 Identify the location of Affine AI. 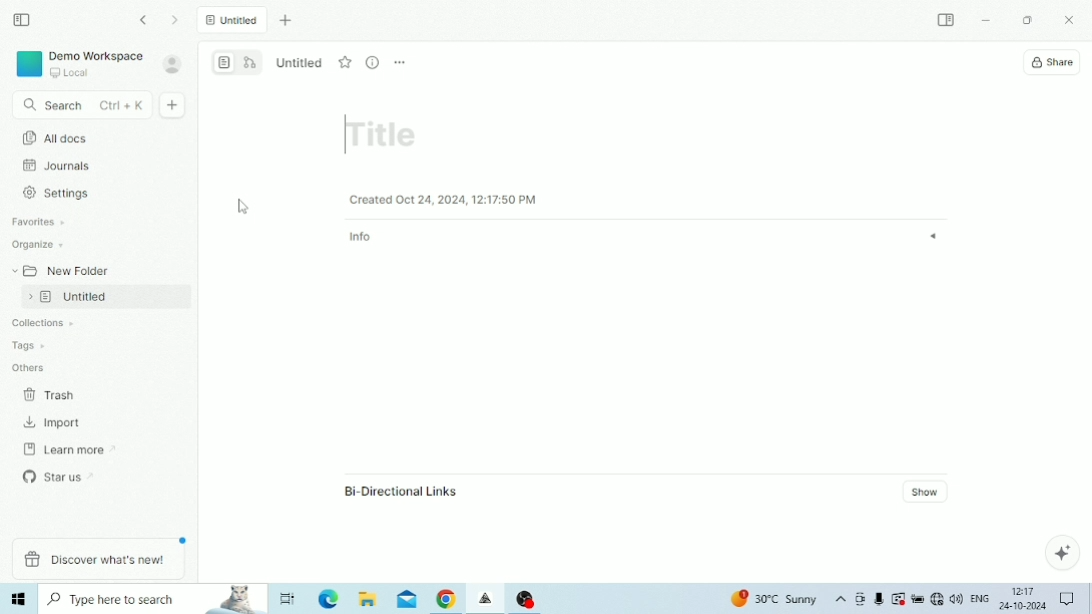
(1062, 552).